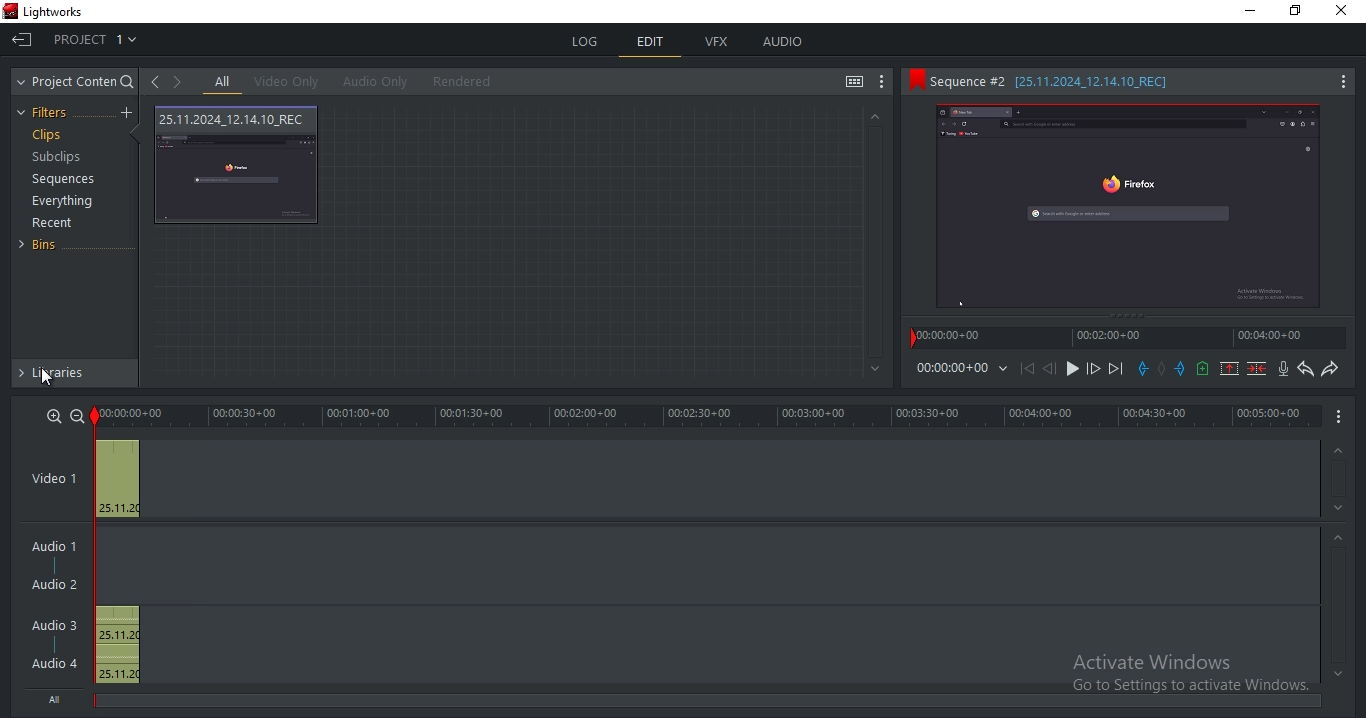 The image size is (1366, 718). What do you see at coordinates (1257, 368) in the screenshot?
I see `delete the marked section` at bounding box center [1257, 368].